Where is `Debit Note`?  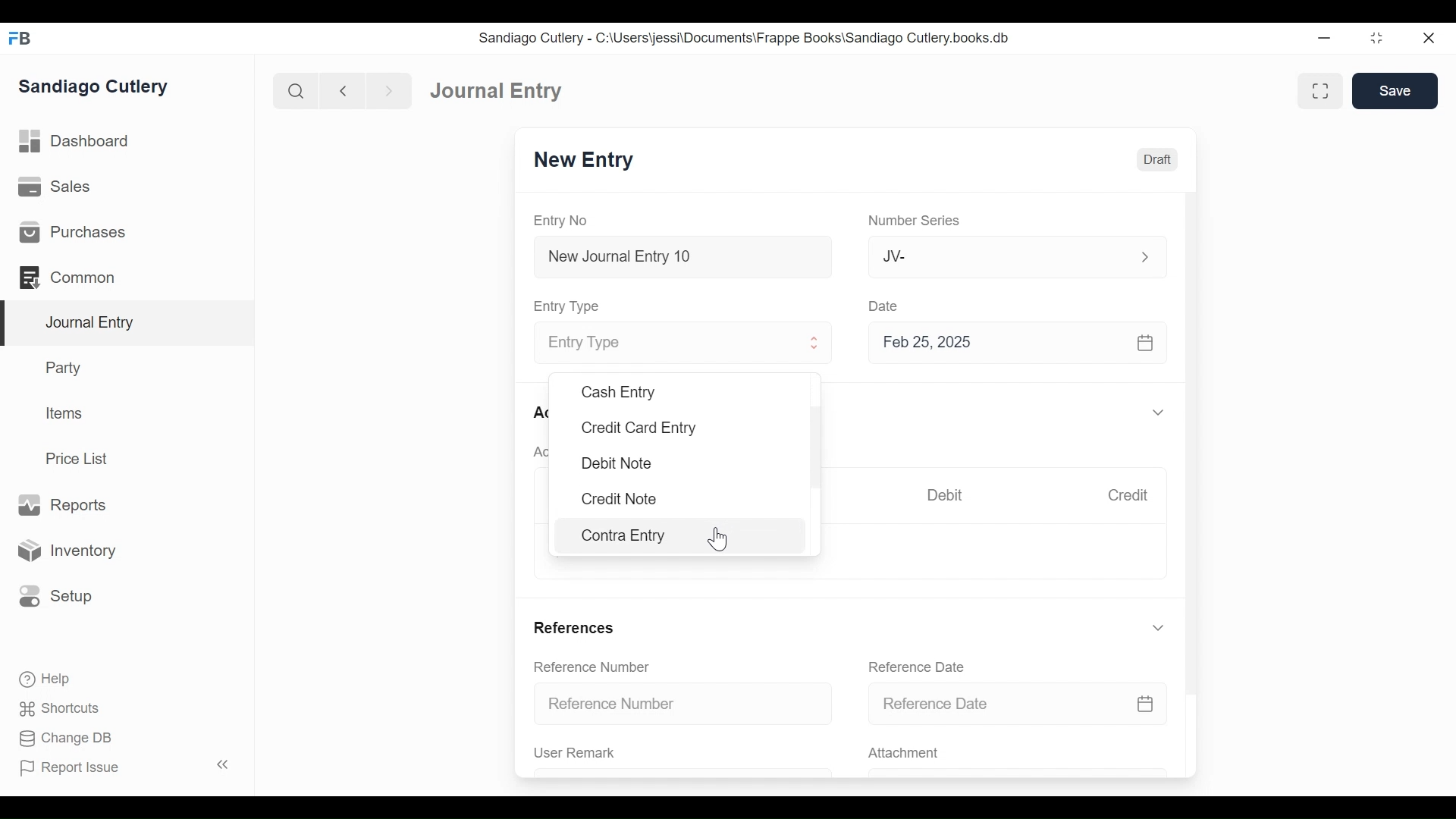
Debit Note is located at coordinates (617, 464).